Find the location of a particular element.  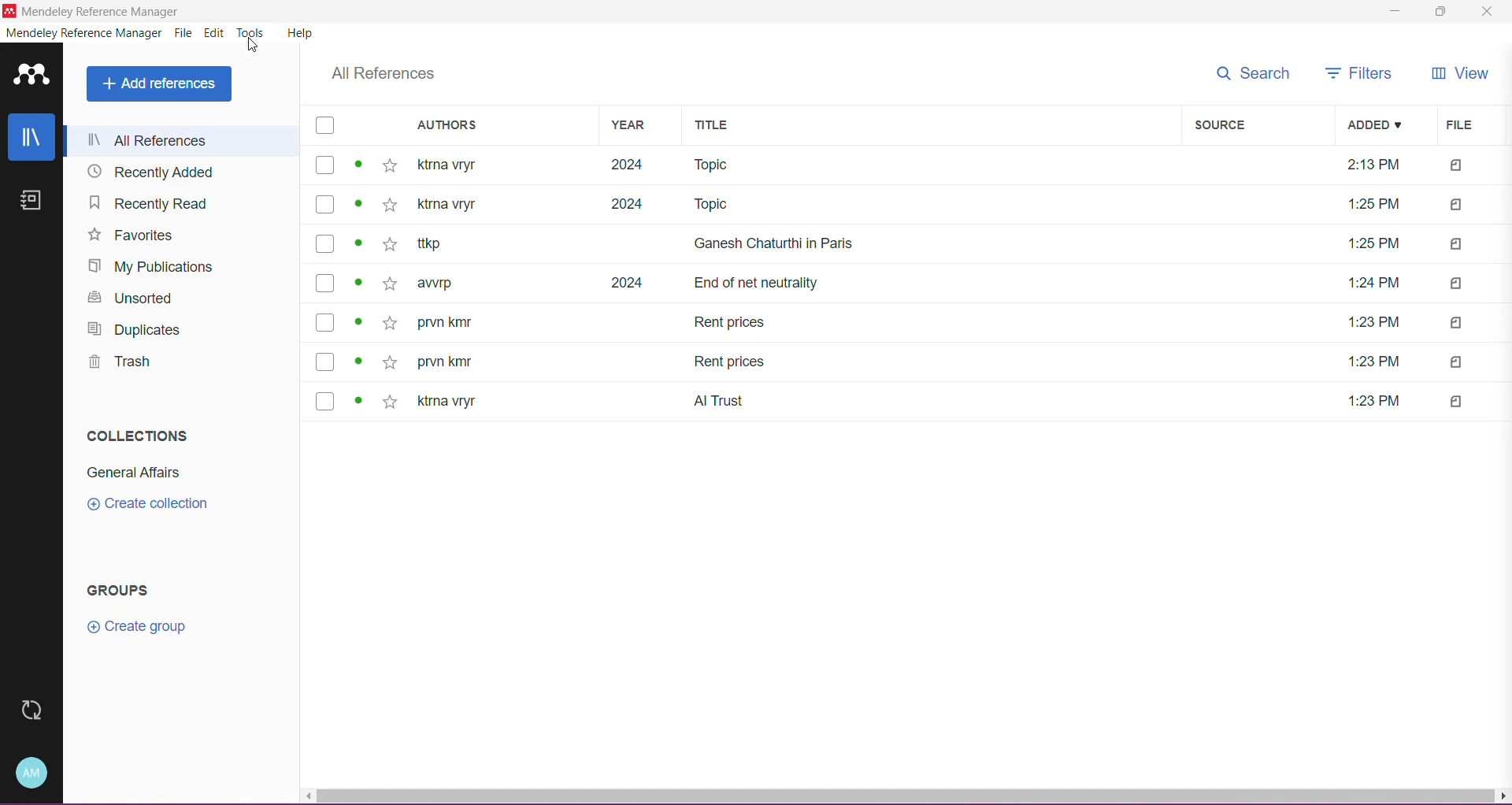

References titles is located at coordinates (923, 164).